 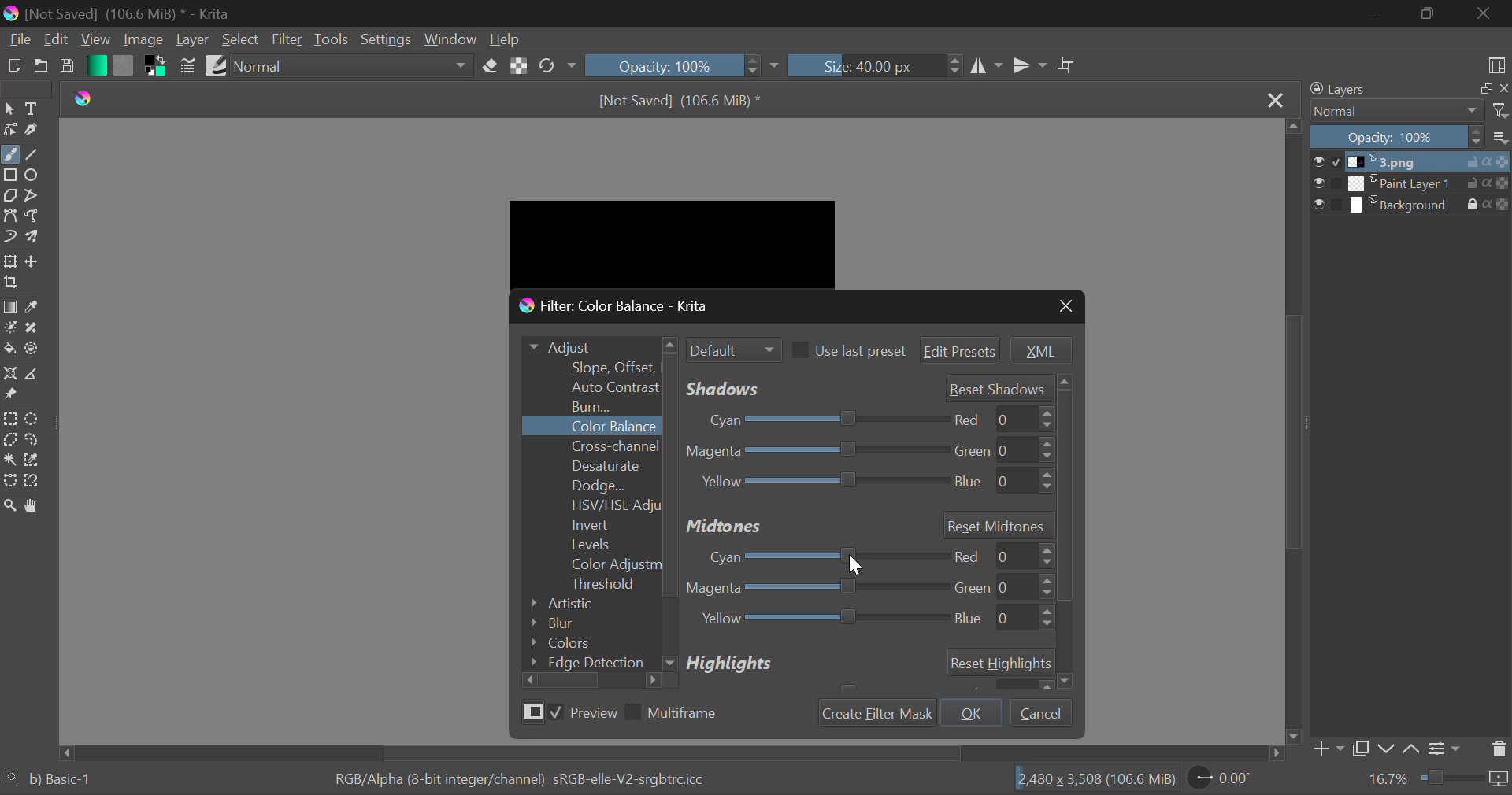 I want to click on Shadows' Adjustment Sliders, so click(x=863, y=388).